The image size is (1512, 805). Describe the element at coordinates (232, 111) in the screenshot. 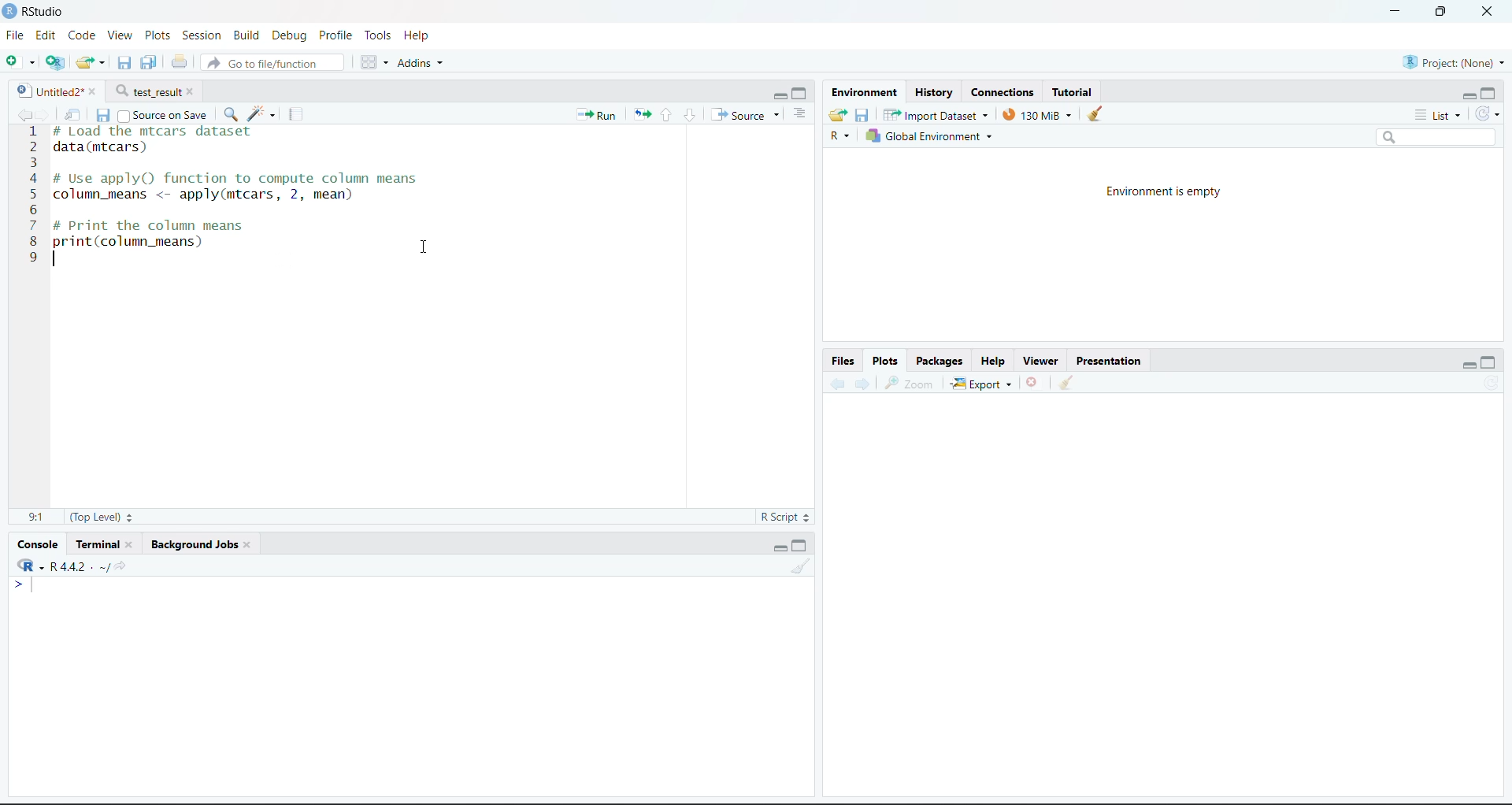

I see `Find/Replace` at that location.